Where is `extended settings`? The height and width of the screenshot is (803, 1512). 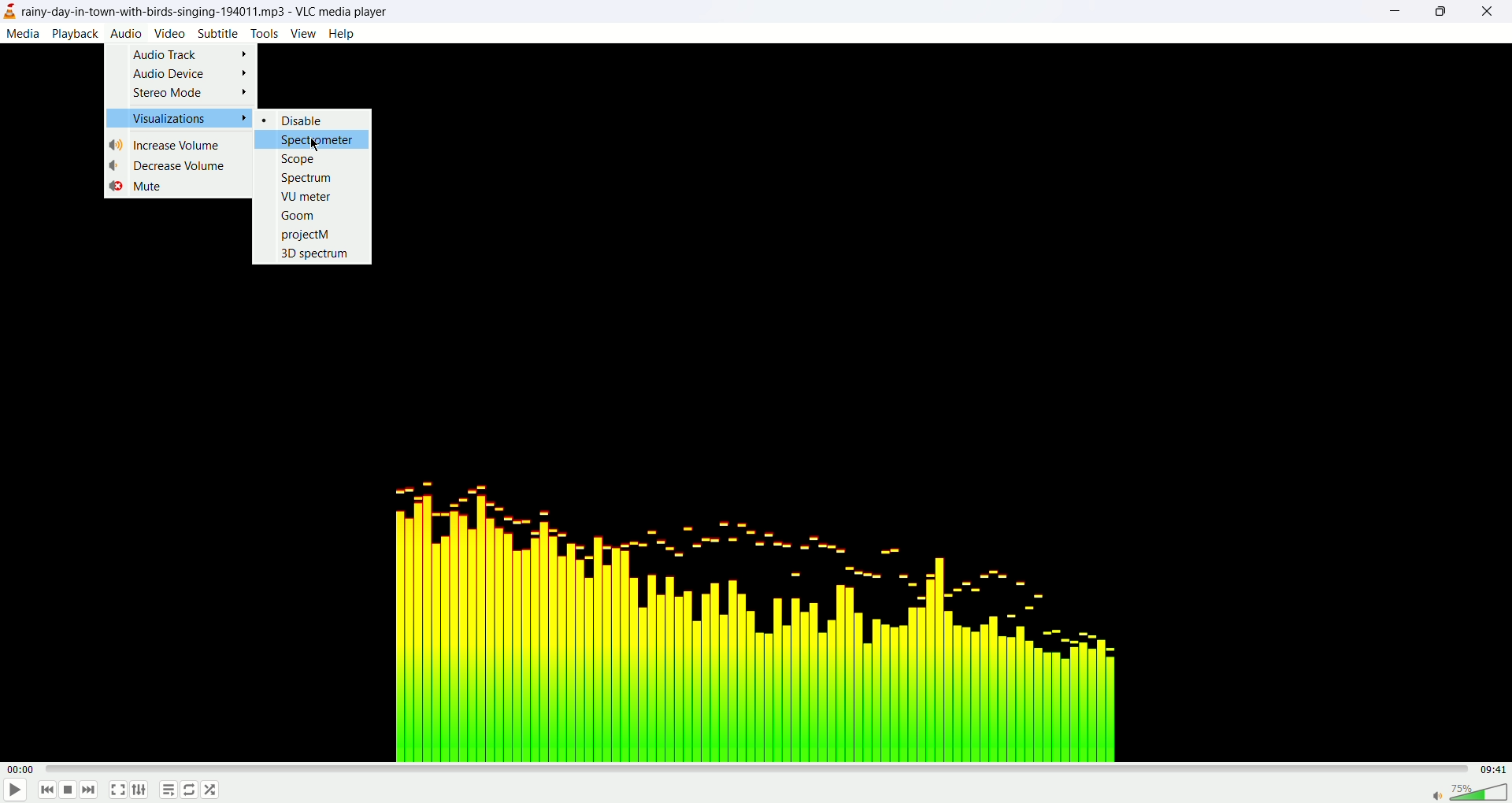 extended settings is located at coordinates (140, 791).